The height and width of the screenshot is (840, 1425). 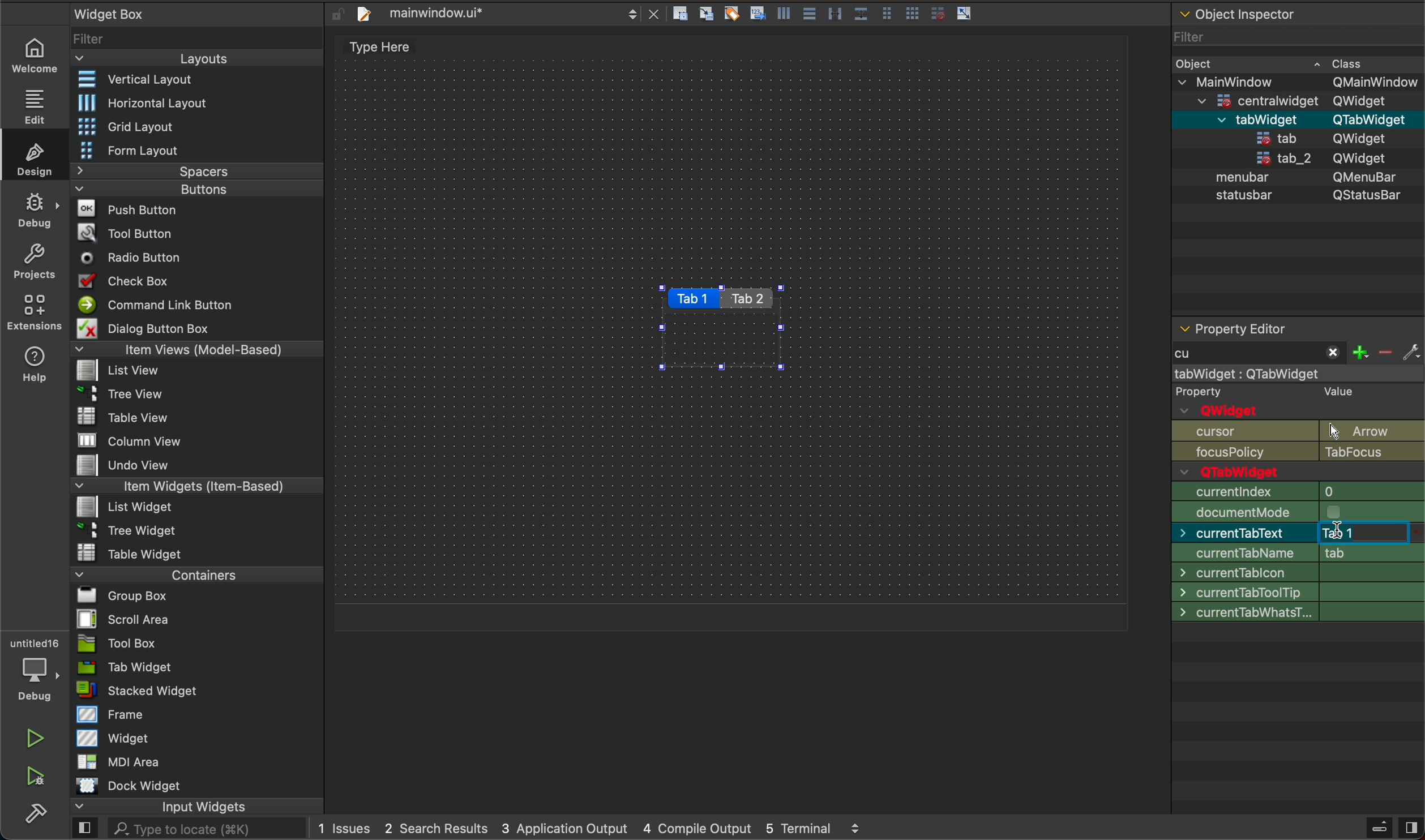 What do you see at coordinates (1299, 756) in the screenshot?
I see `accept drops` at bounding box center [1299, 756].